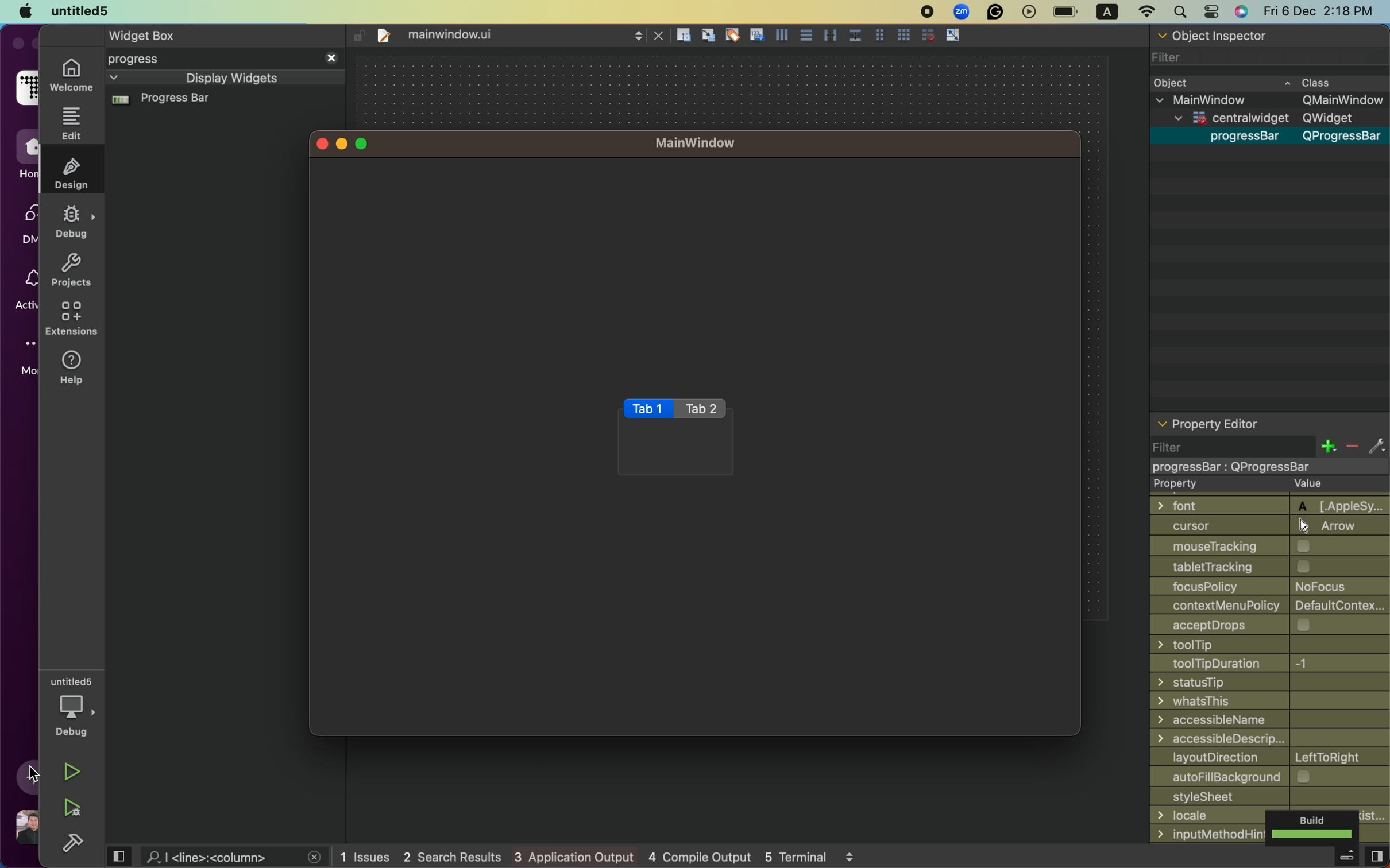 This screenshot has height=868, width=1390. Describe the element at coordinates (1270, 546) in the screenshot. I see `mousetracking` at that location.